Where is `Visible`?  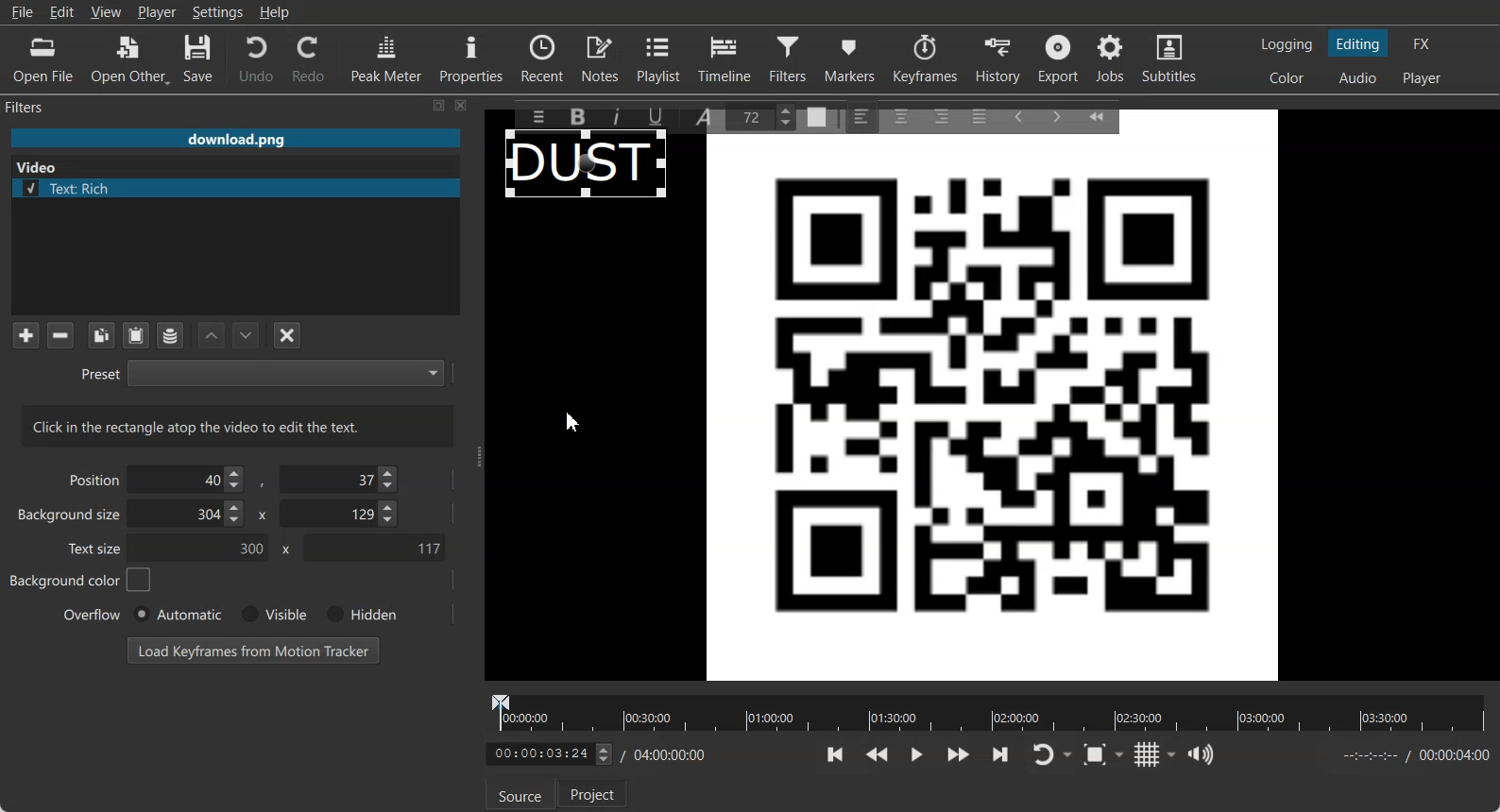 Visible is located at coordinates (272, 615).